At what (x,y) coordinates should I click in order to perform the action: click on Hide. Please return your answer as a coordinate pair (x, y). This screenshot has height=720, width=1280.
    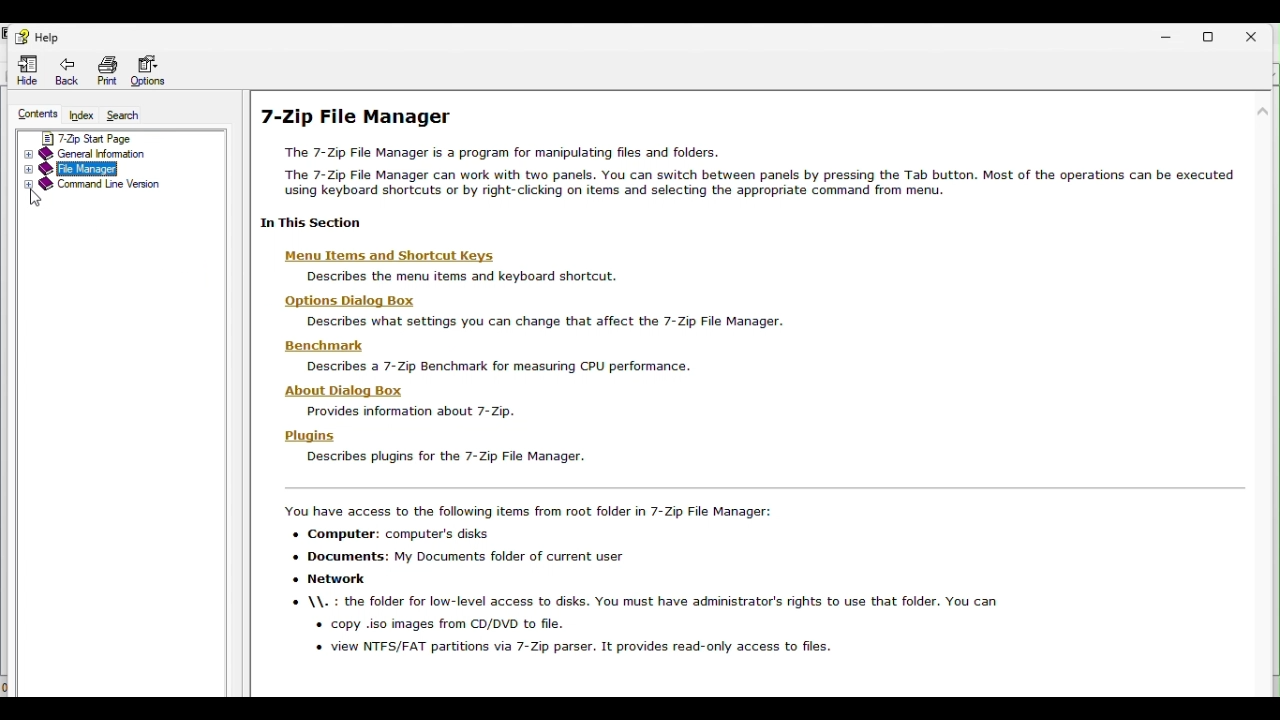
    Looking at the image, I should click on (22, 71).